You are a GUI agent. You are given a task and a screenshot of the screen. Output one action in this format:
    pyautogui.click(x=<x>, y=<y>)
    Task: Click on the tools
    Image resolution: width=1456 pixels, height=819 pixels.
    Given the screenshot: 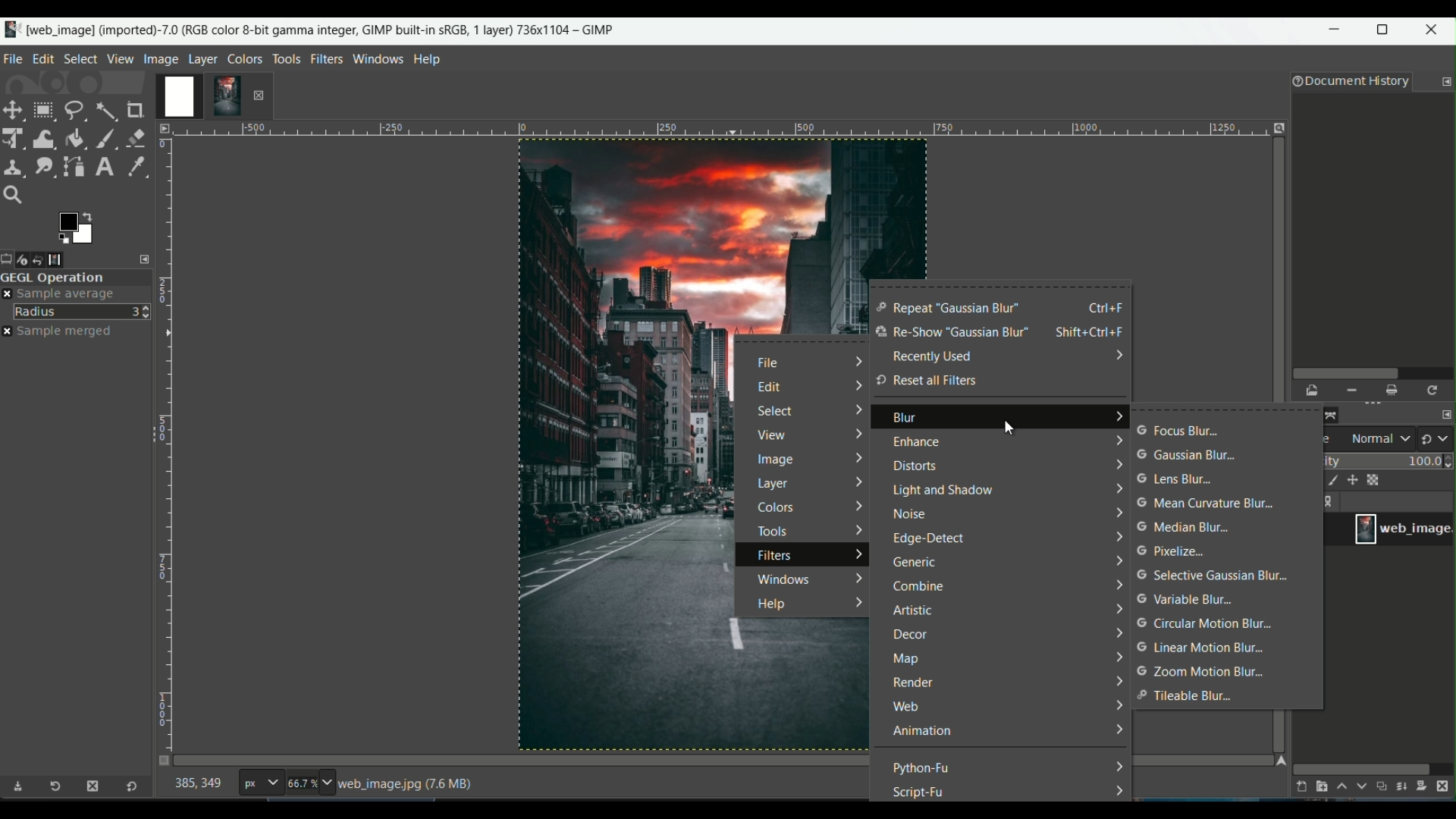 What is the action you would take?
    pyautogui.click(x=771, y=531)
    